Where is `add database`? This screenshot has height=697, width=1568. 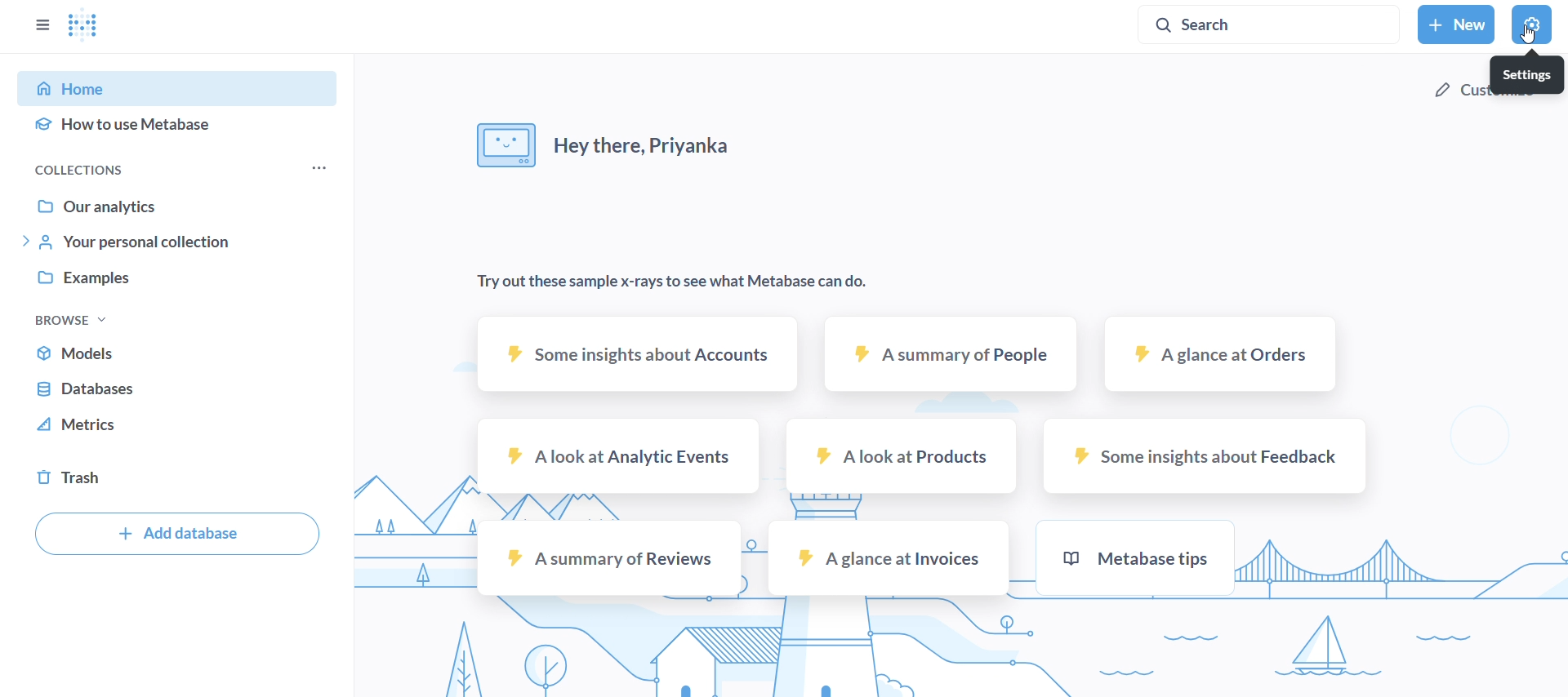 add database is located at coordinates (175, 532).